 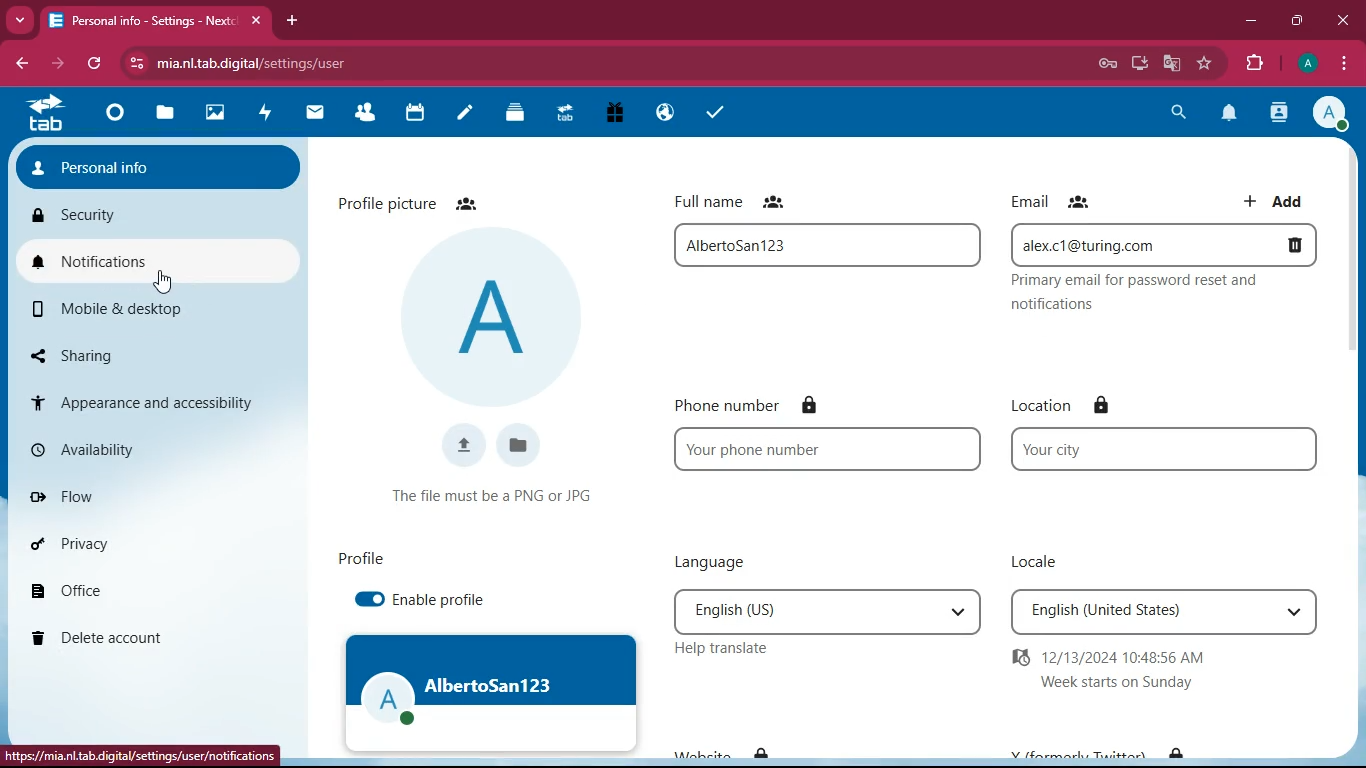 I want to click on notifications, so click(x=157, y=262).